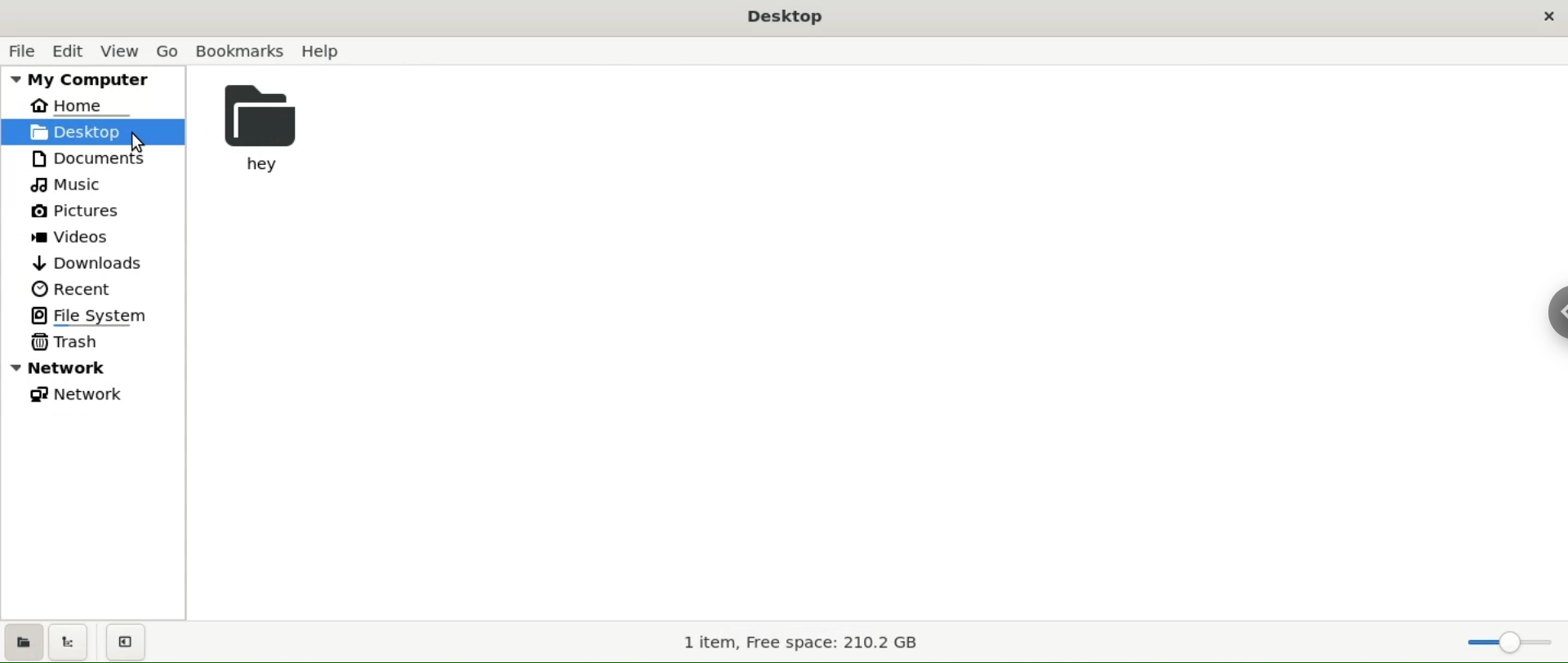 The width and height of the screenshot is (1568, 663). I want to click on network, so click(74, 394).